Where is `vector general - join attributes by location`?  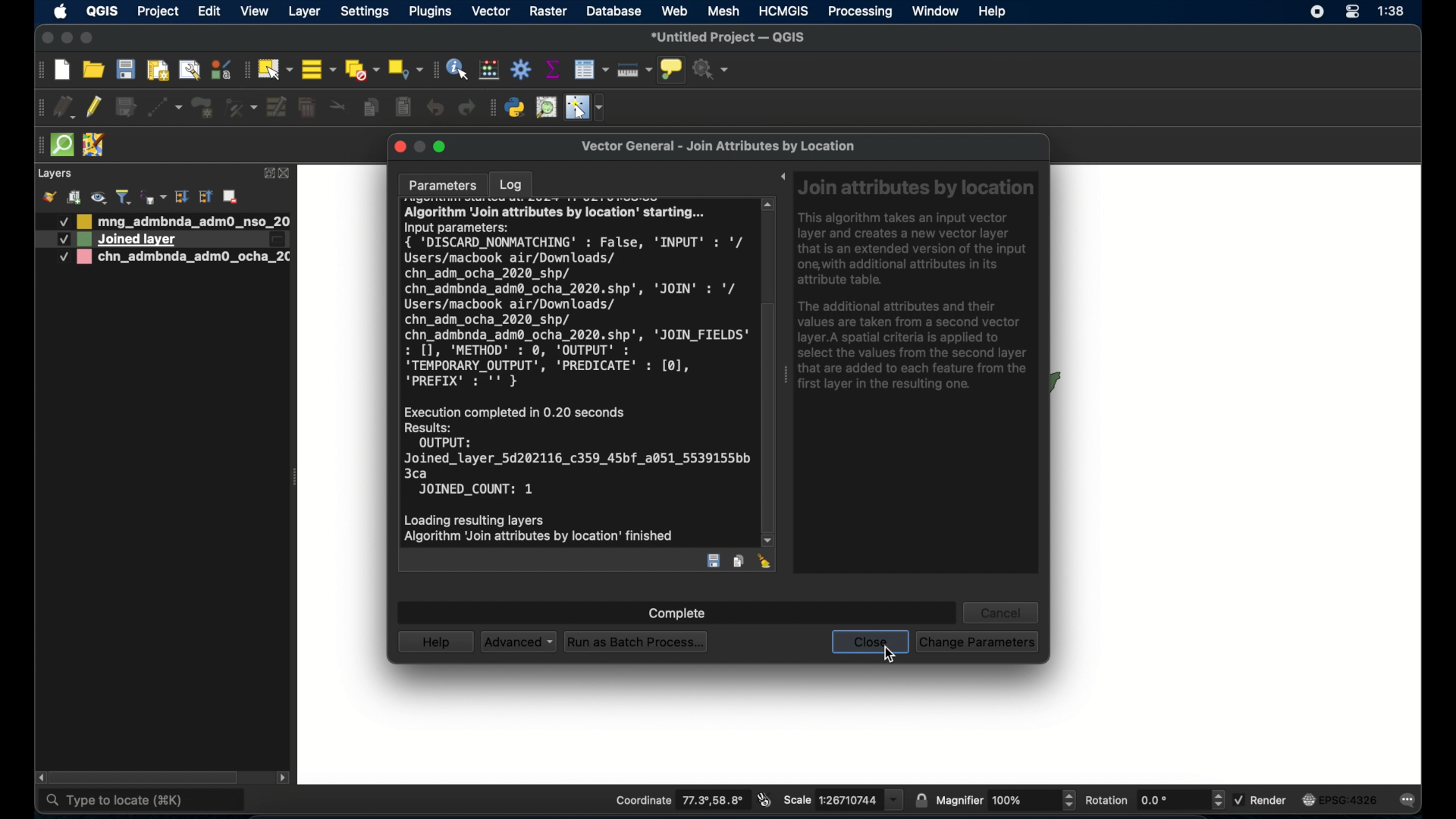
vector general - join attributes by location is located at coordinates (719, 146).